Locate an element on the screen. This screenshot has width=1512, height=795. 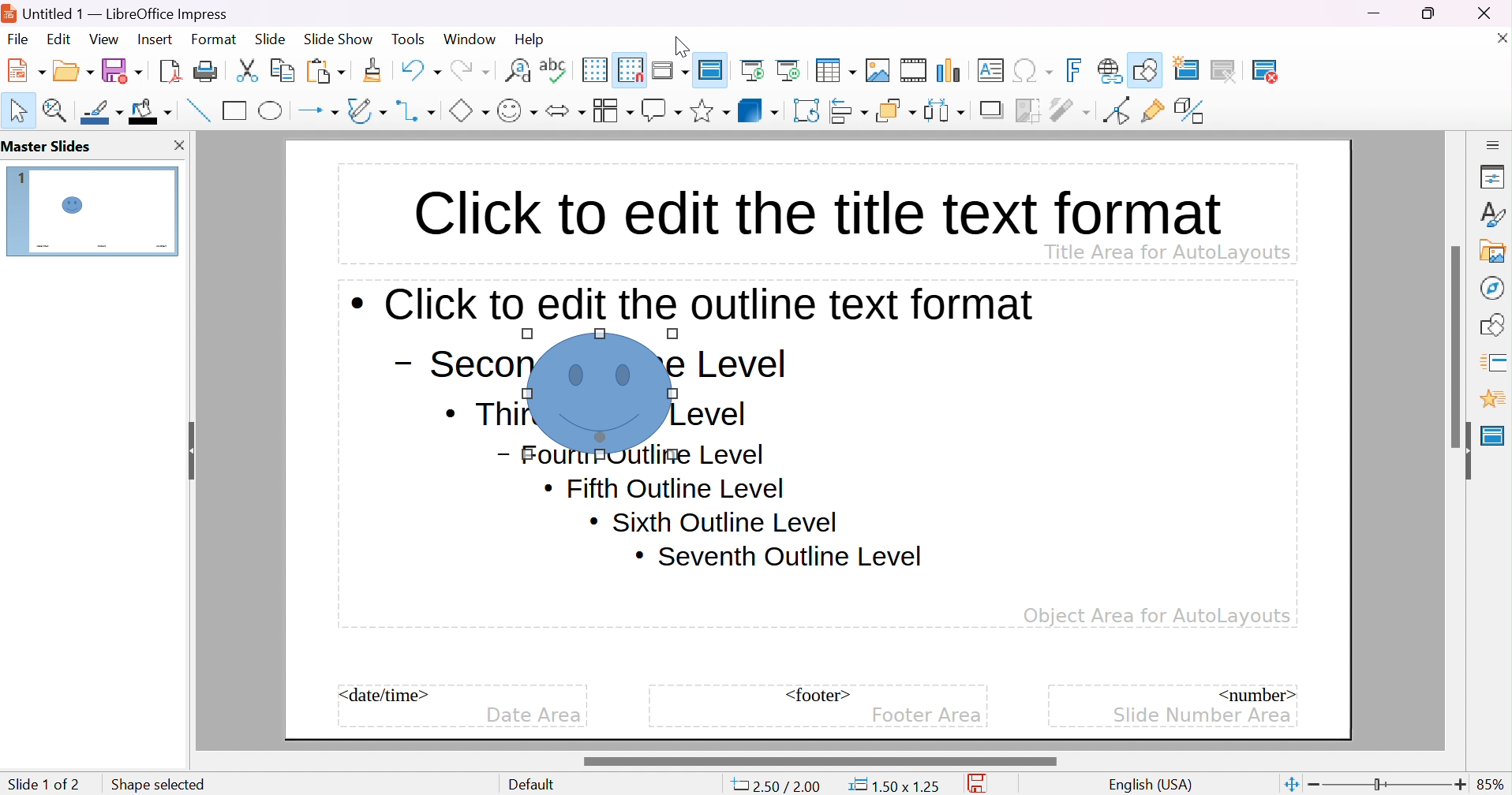
slide layout is located at coordinates (1319, 70).